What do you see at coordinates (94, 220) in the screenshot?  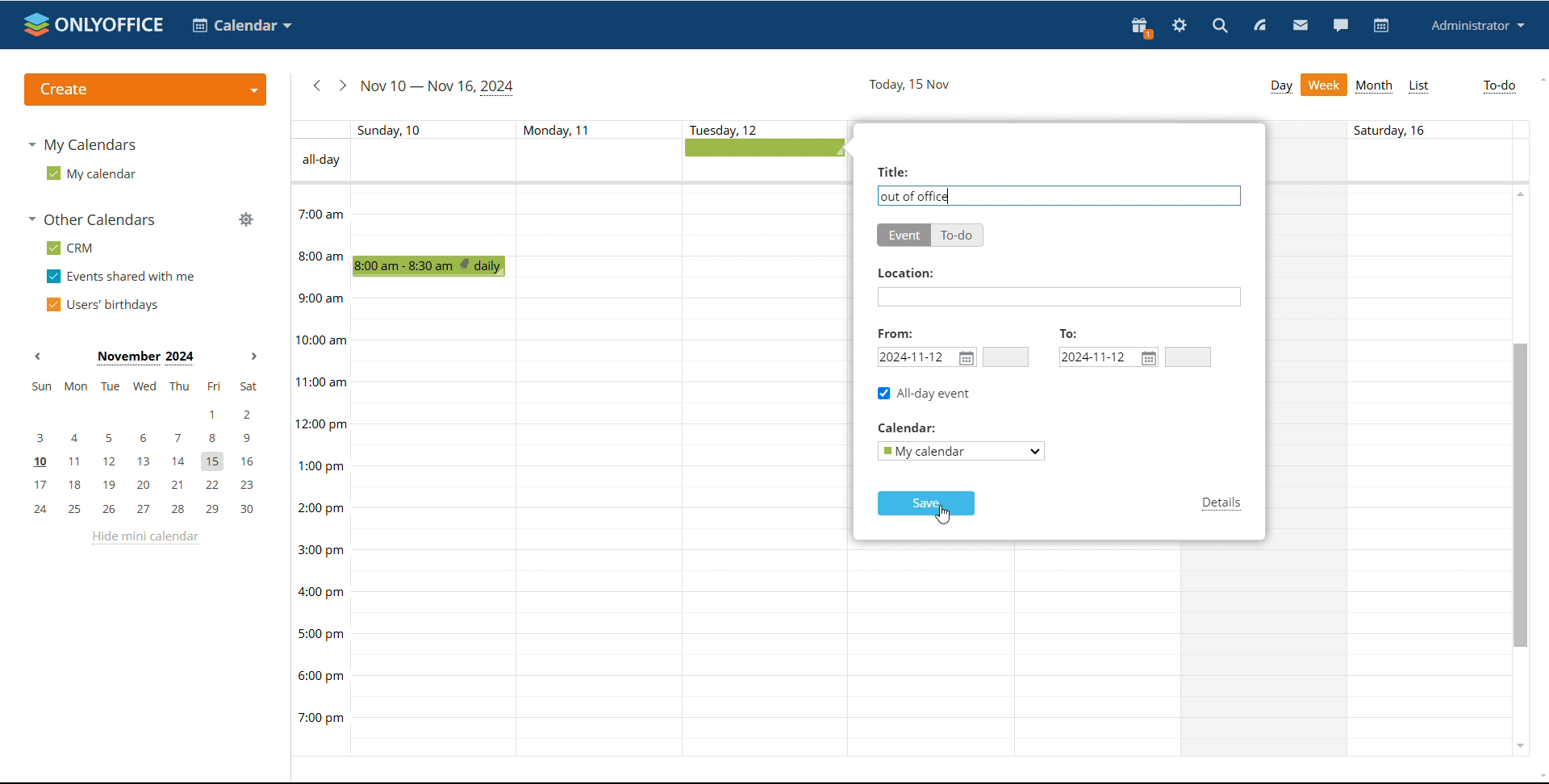 I see `other calendars` at bounding box center [94, 220].